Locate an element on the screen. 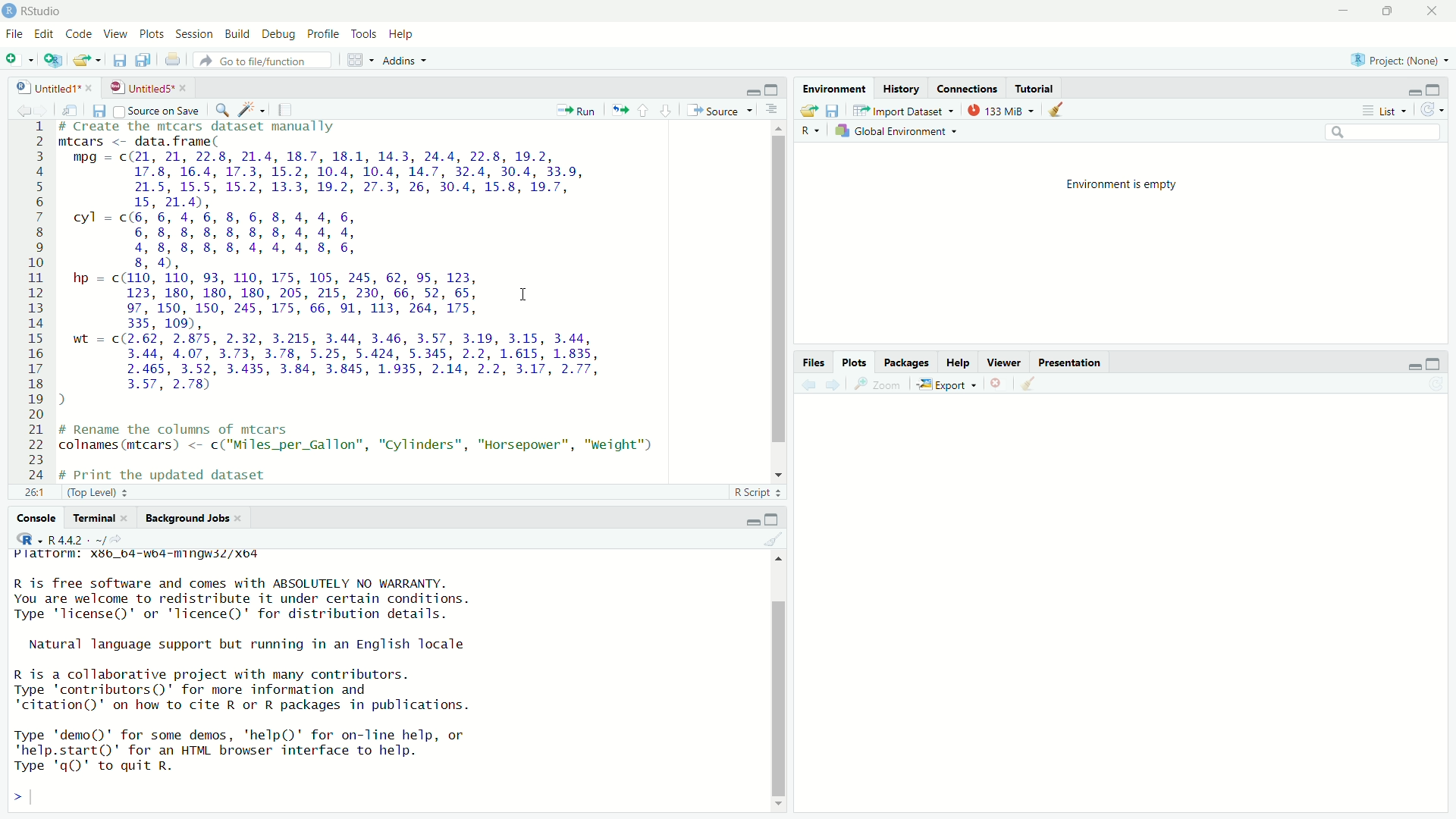  History is located at coordinates (904, 88).